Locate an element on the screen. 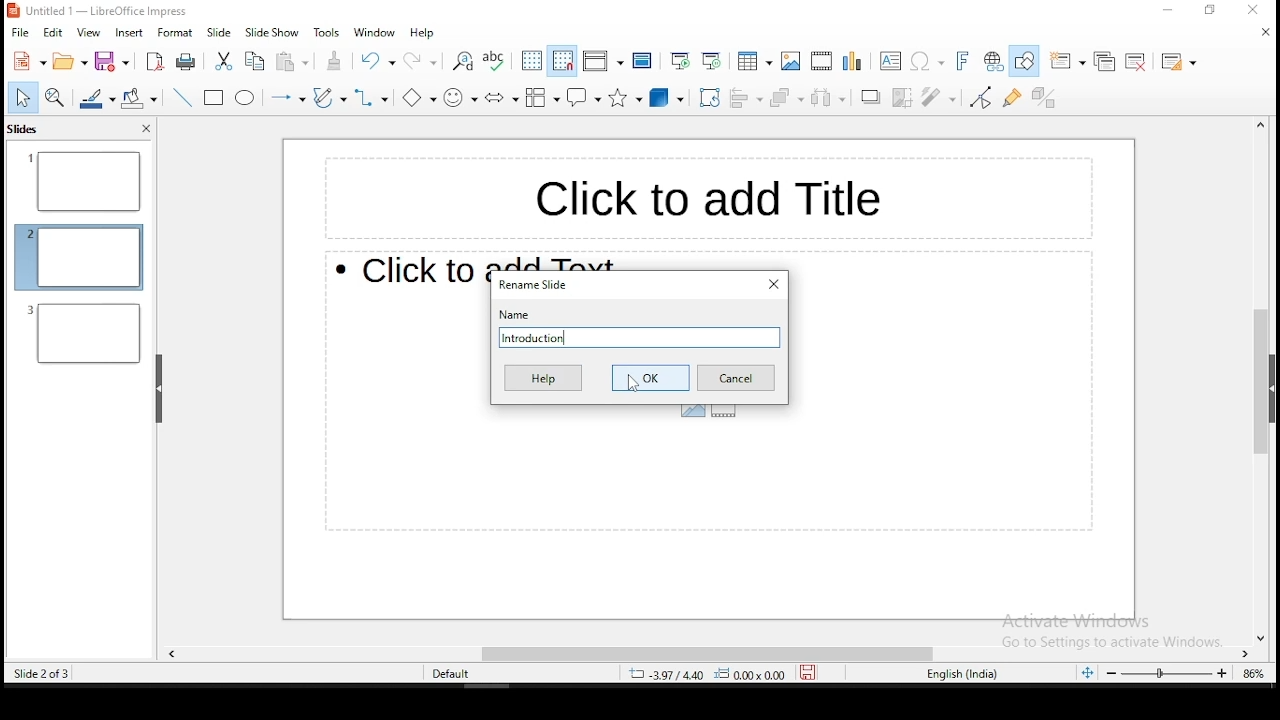 The image size is (1280, 720). toggle extrusion is located at coordinates (1043, 100).